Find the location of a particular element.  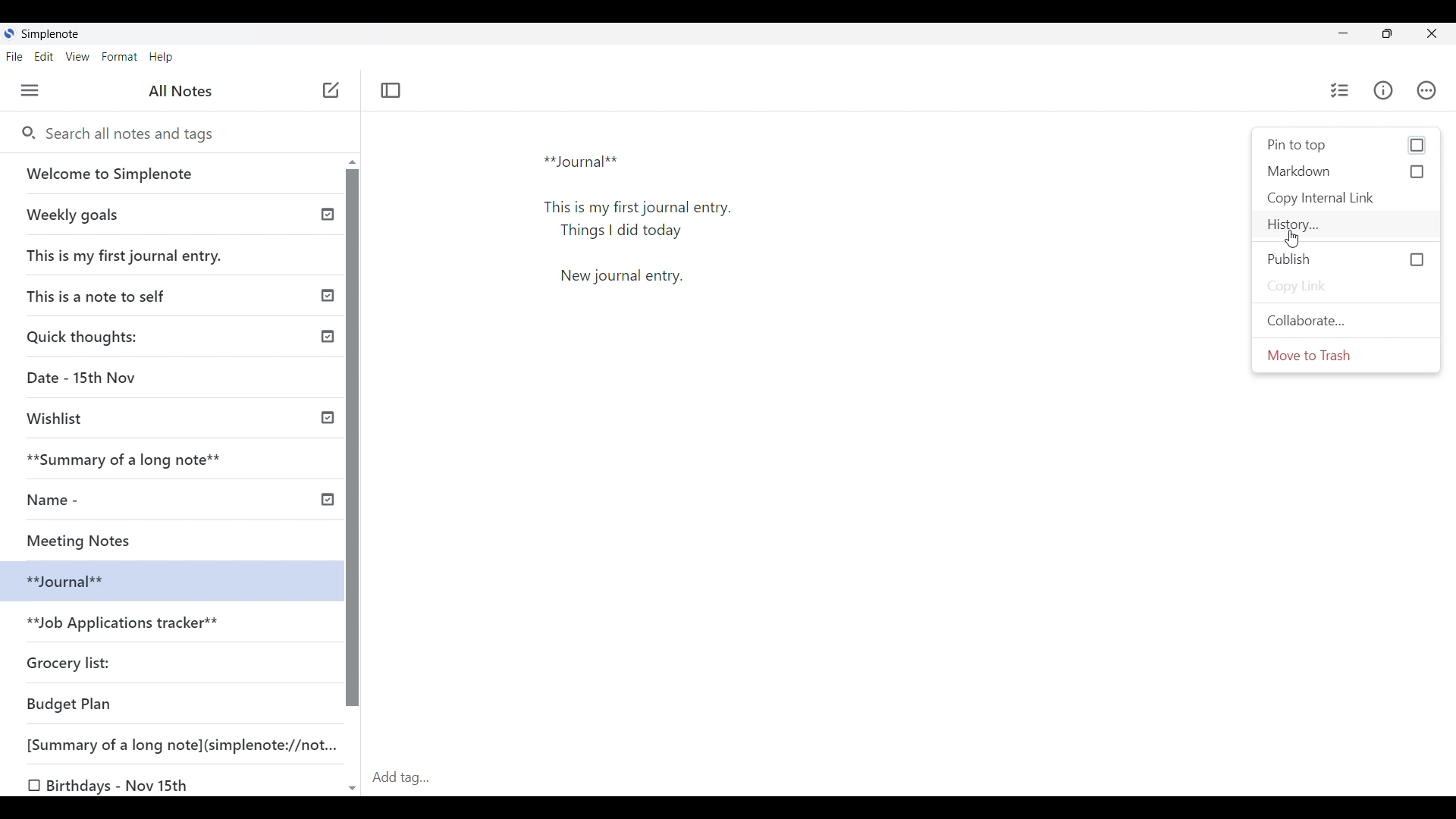

This is my first journal entry. is located at coordinates (126, 255).